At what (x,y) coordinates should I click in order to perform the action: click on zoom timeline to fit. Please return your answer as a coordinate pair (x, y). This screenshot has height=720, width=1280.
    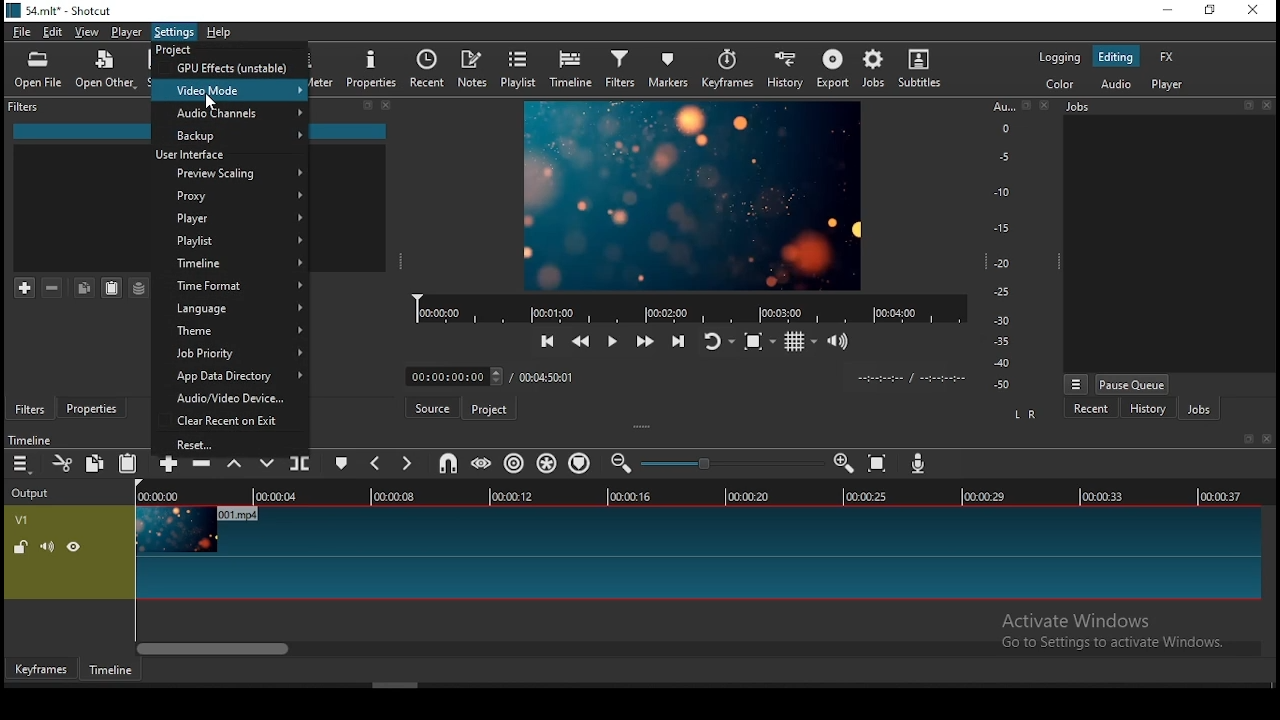
    Looking at the image, I should click on (880, 463).